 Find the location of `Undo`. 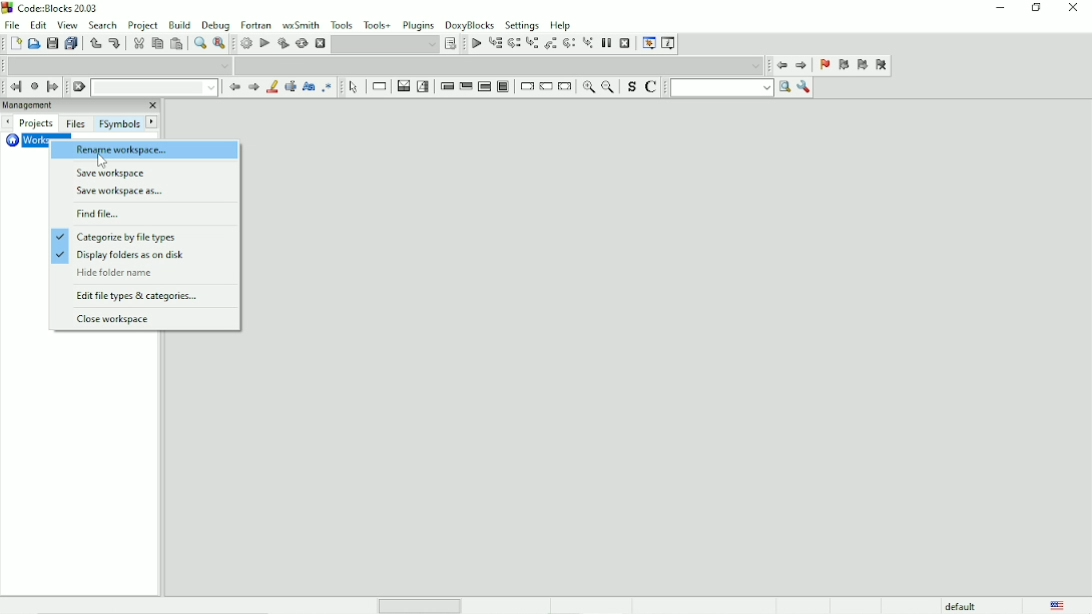

Undo is located at coordinates (93, 43).